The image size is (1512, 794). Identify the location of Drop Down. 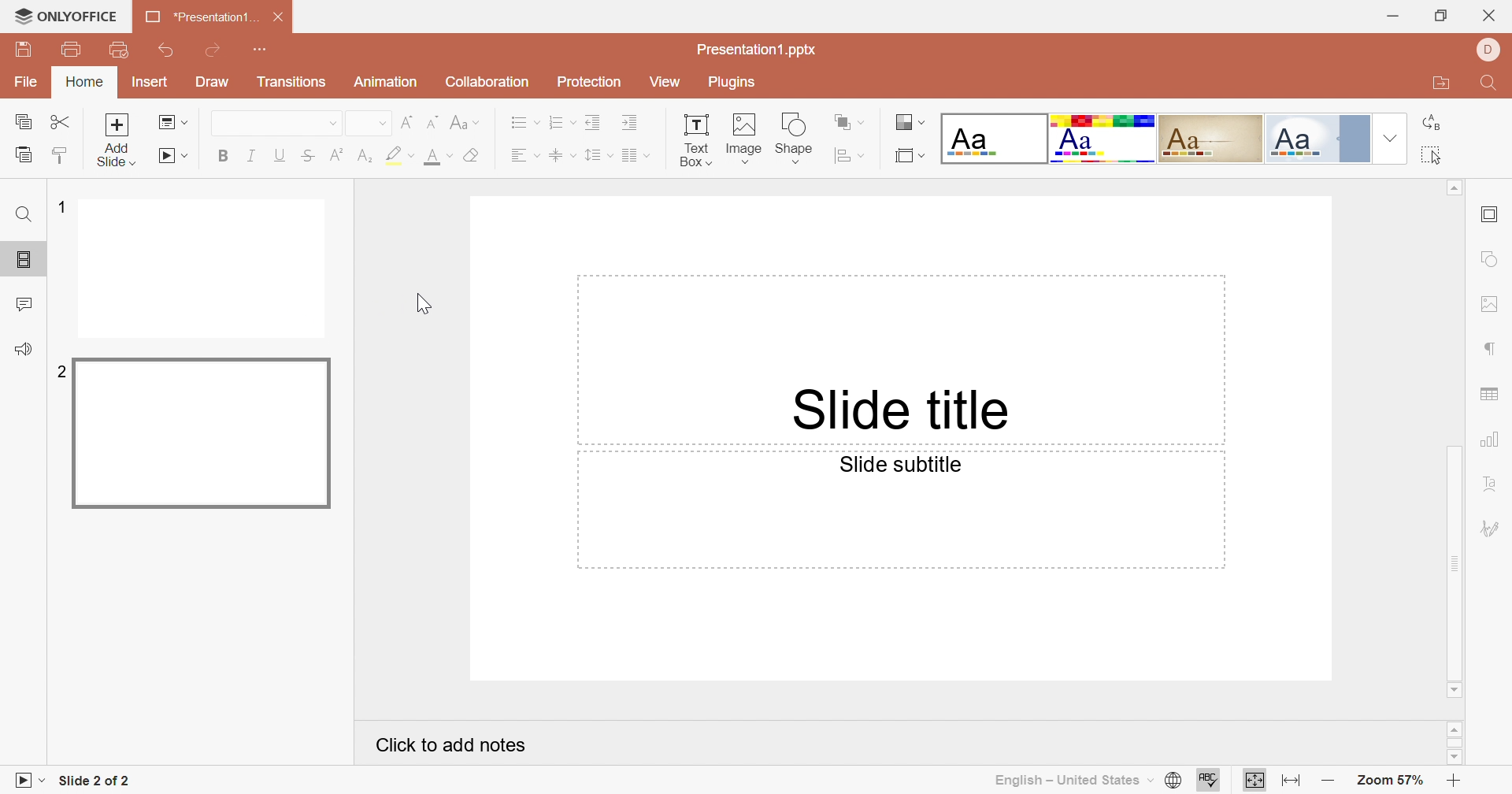
(43, 777).